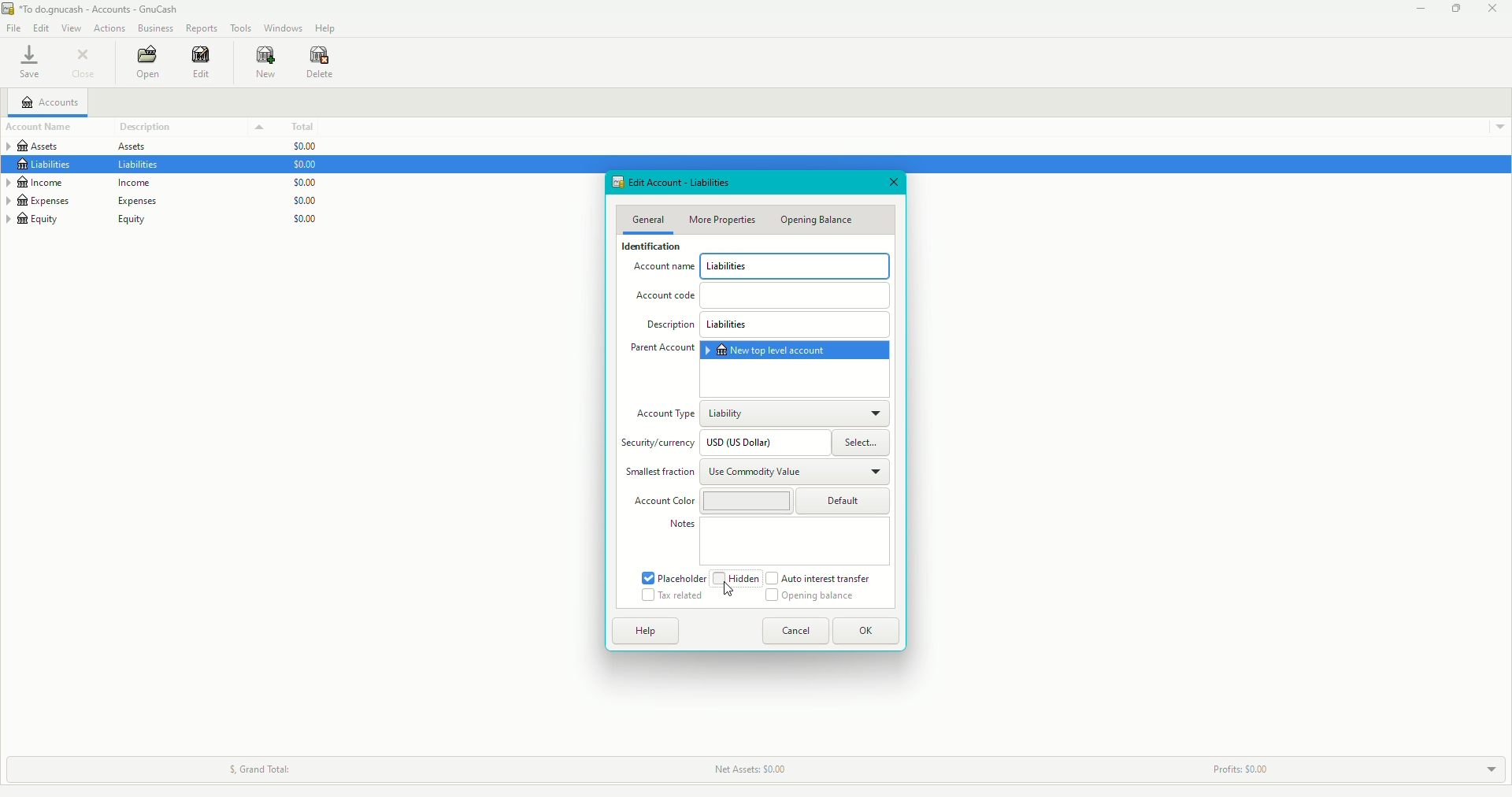 The image size is (1512, 797). I want to click on Expenses, so click(80, 202).